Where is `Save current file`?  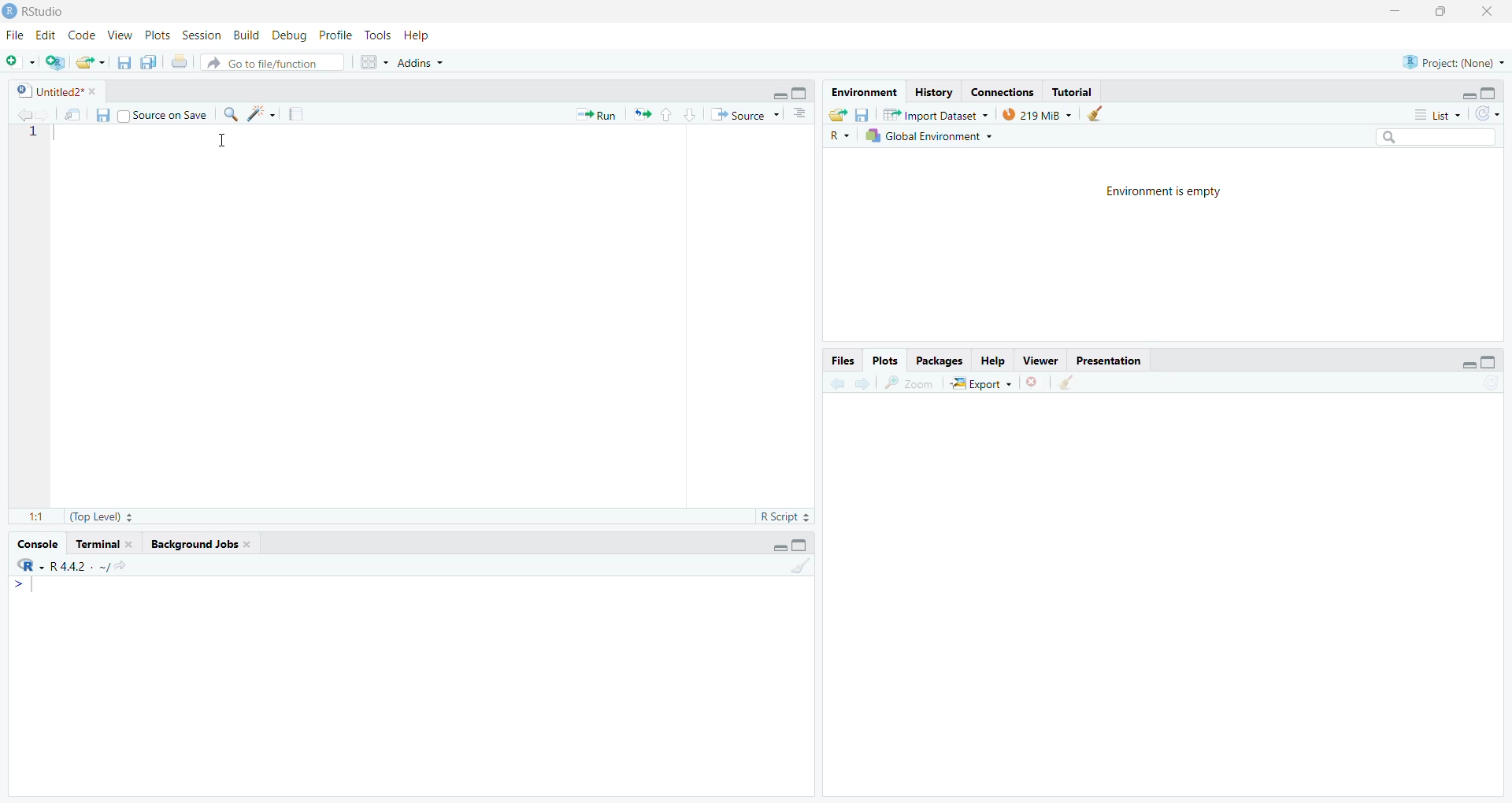 Save current file is located at coordinates (125, 62).